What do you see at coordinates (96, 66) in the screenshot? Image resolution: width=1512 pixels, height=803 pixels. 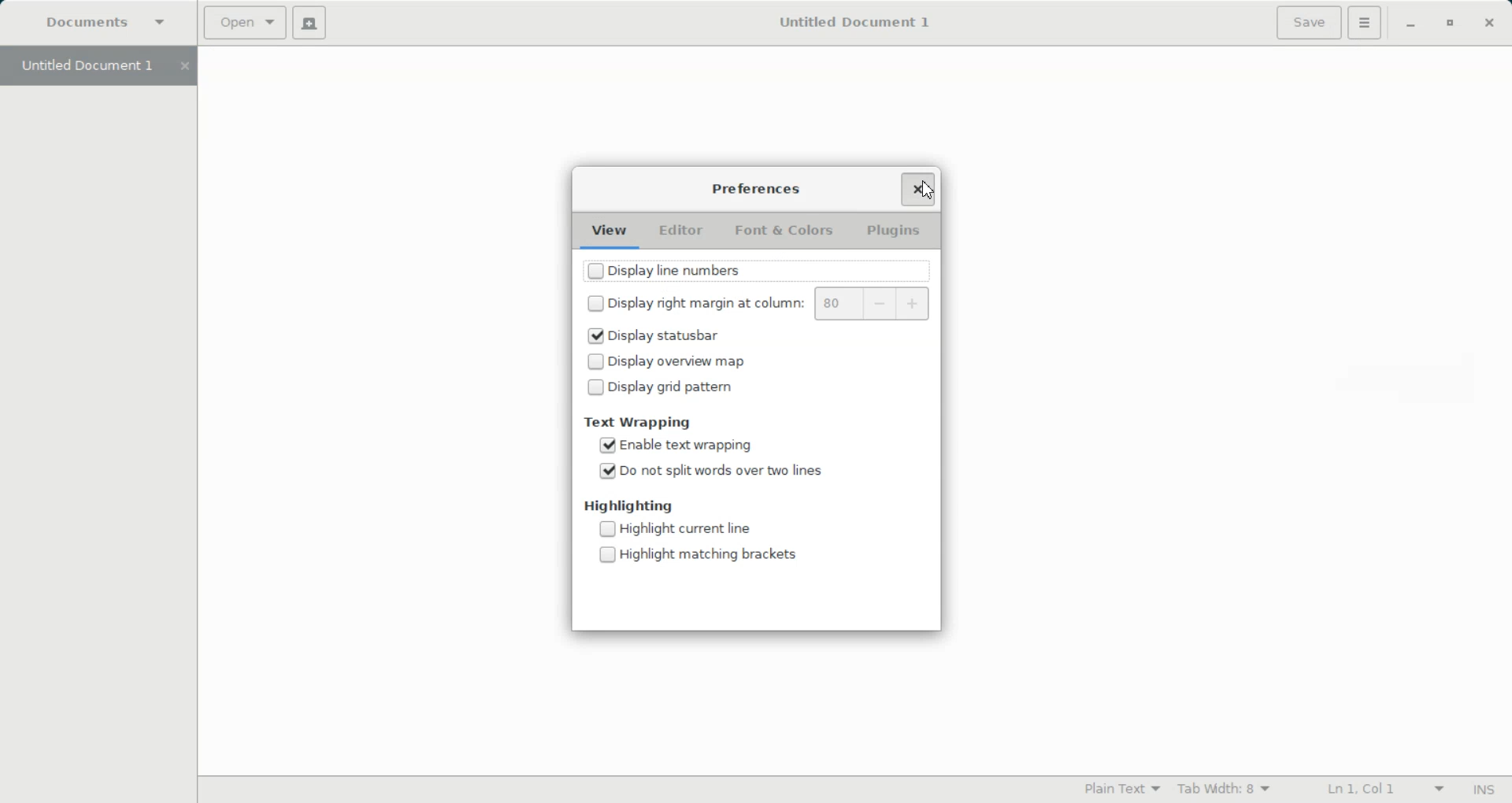 I see `Untitled Document 1 ` at bounding box center [96, 66].